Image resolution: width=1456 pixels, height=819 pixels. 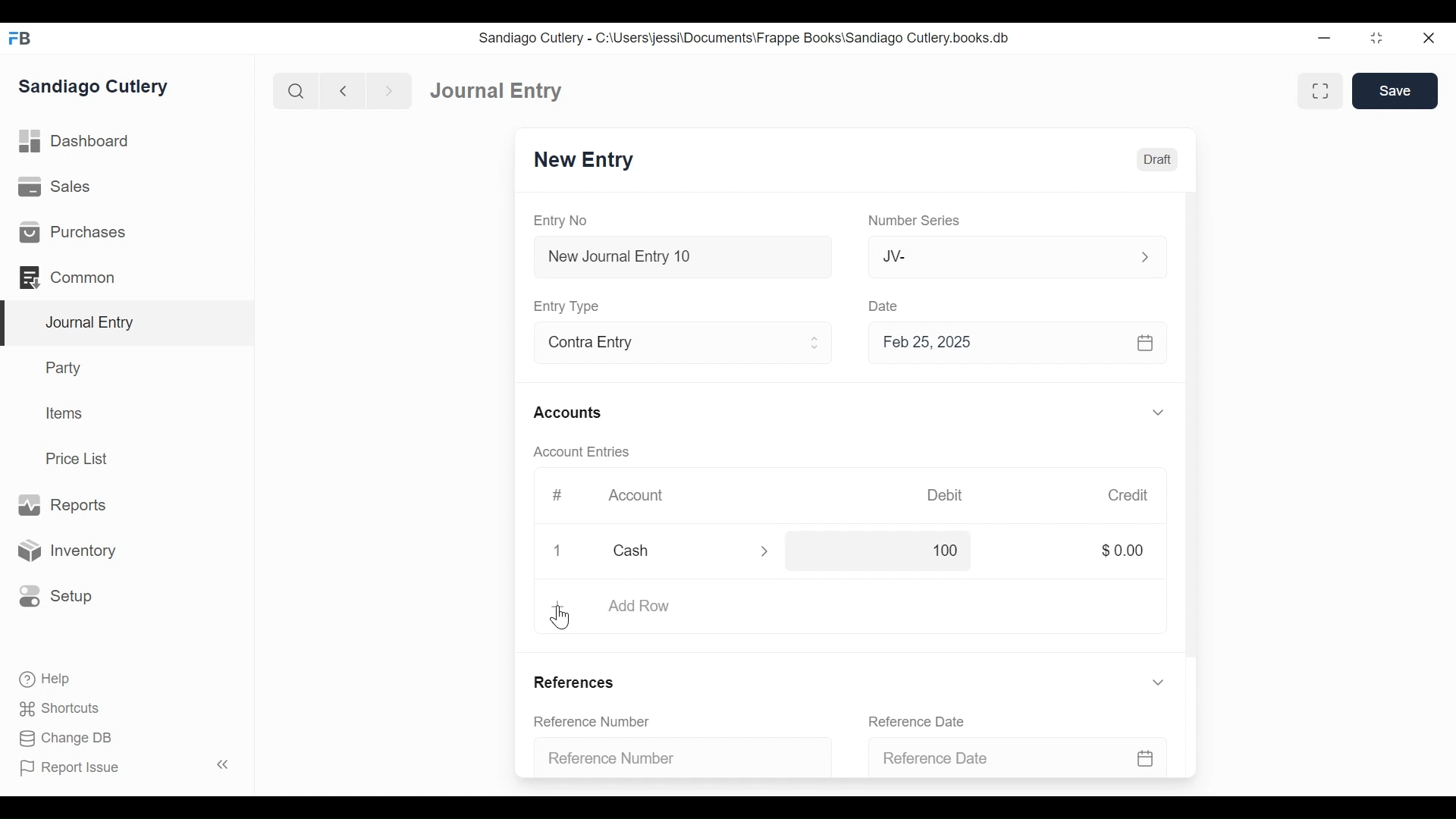 What do you see at coordinates (662, 344) in the screenshot?
I see `Contra Entry` at bounding box center [662, 344].